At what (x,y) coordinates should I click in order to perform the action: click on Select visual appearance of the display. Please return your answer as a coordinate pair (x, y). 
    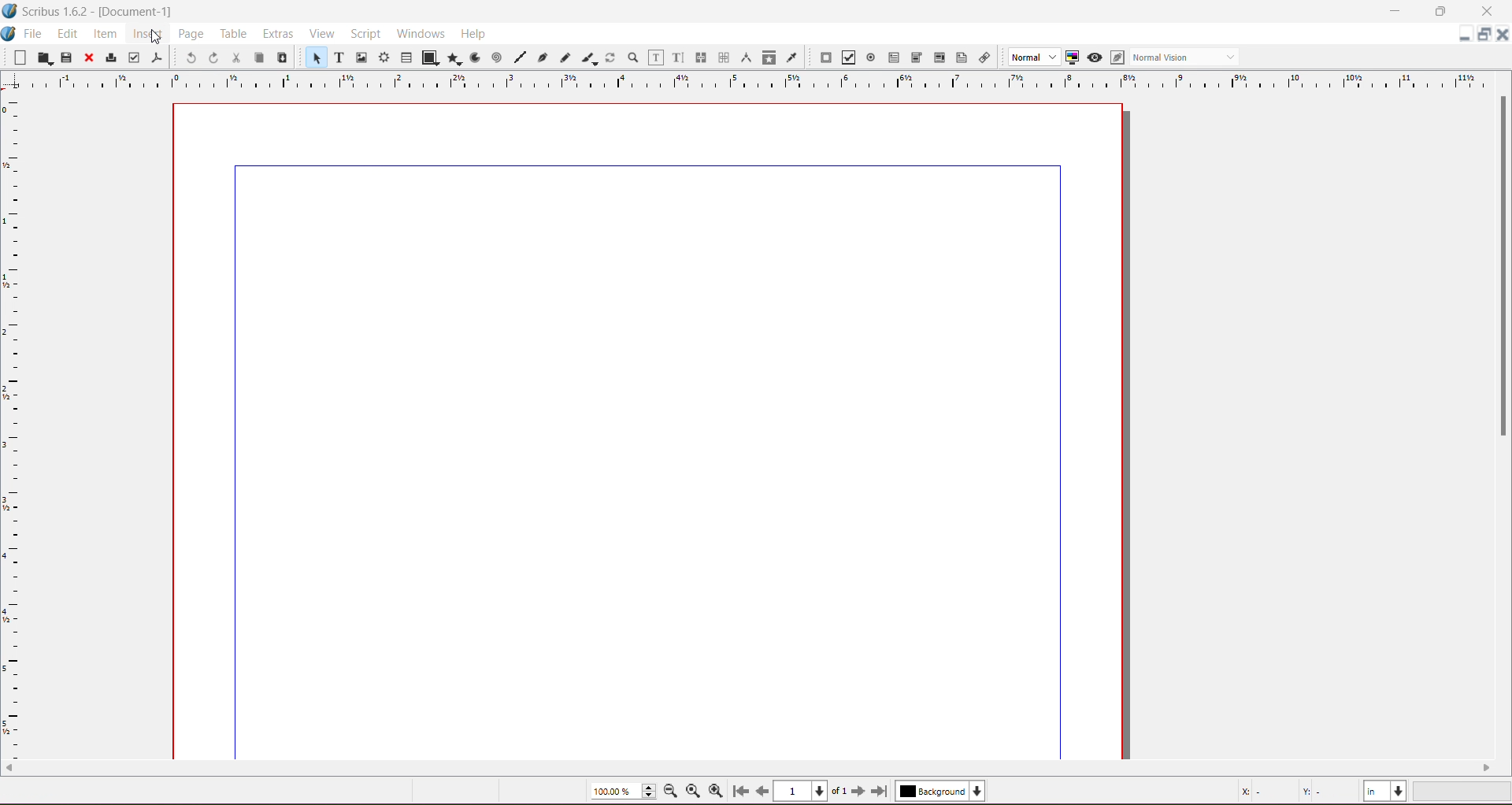
    Looking at the image, I should click on (1188, 57).